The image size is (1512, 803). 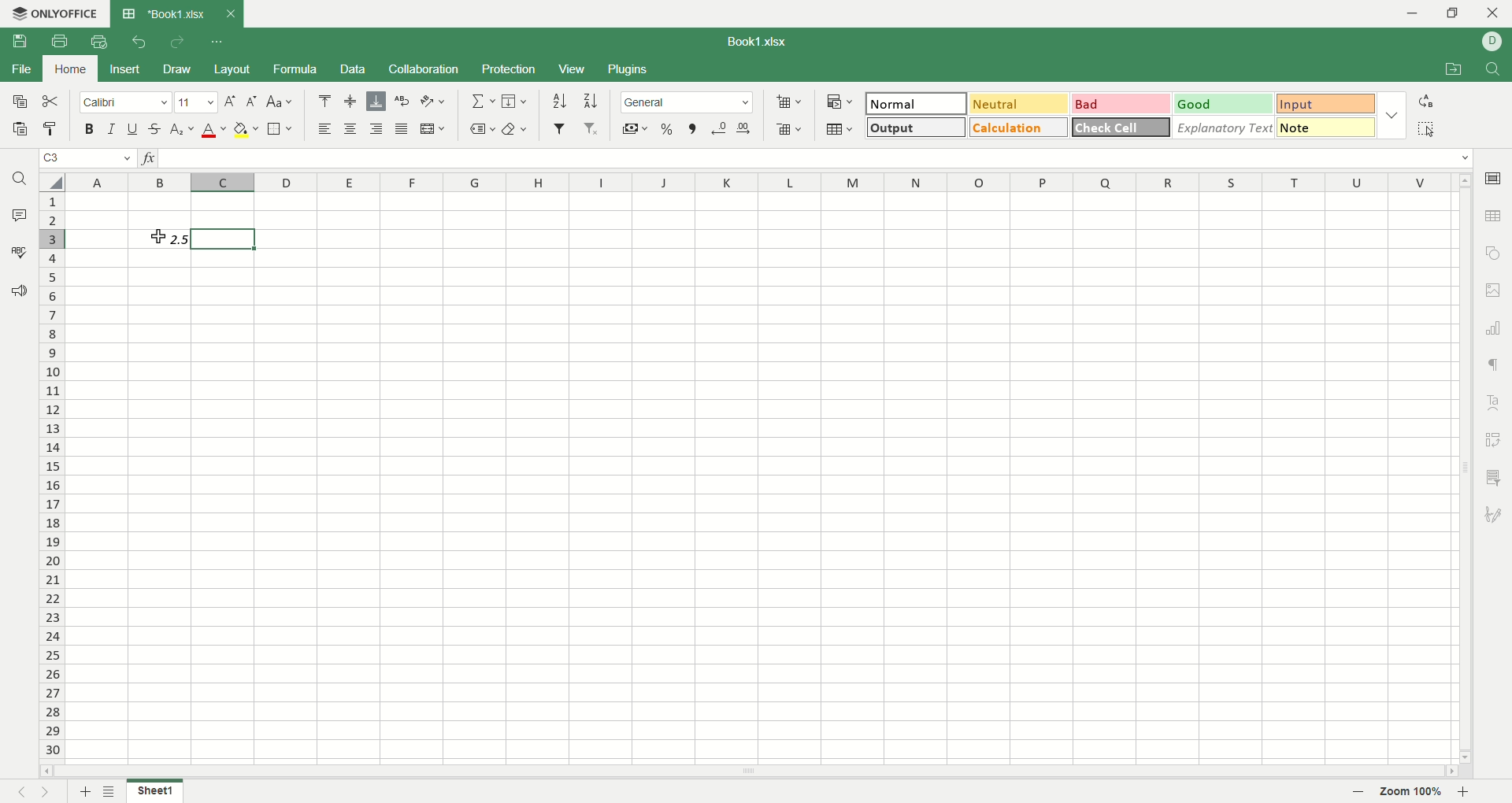 I want to click on onlyoffice, so click(x=53, y=13).